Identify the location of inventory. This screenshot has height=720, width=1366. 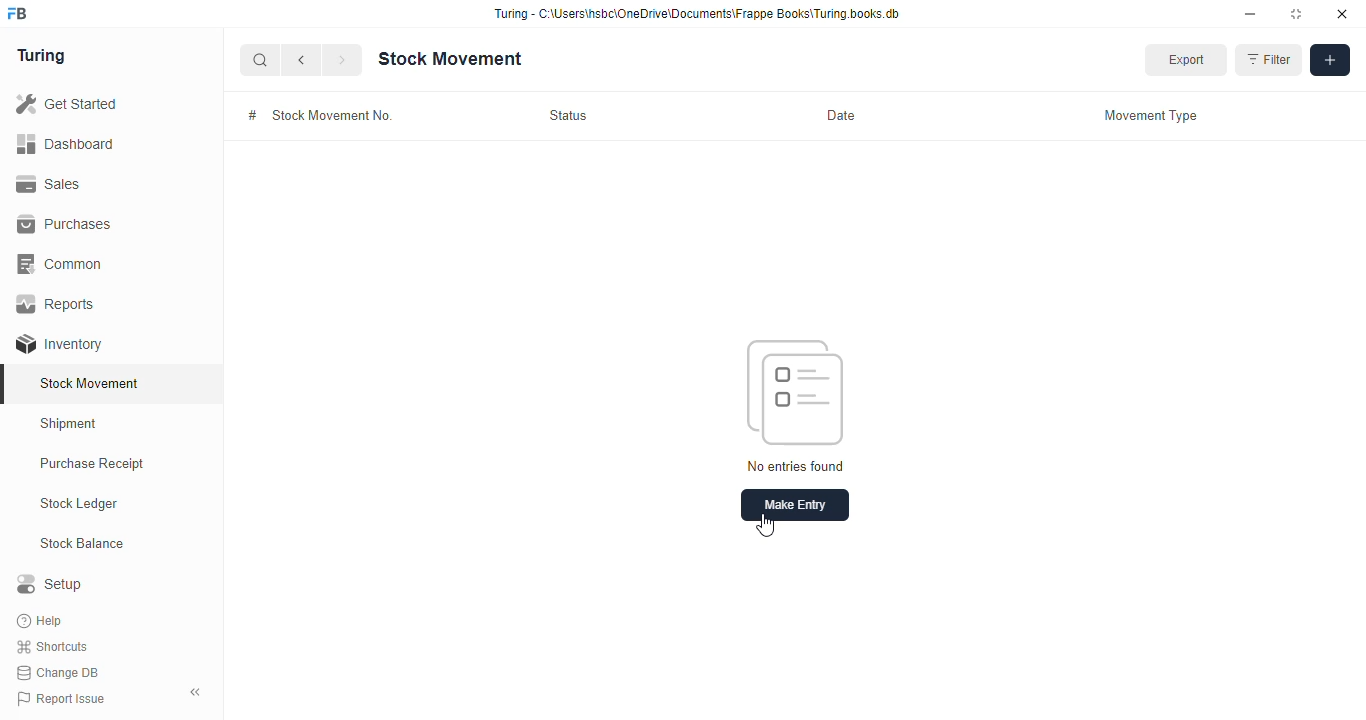
(59, 344).